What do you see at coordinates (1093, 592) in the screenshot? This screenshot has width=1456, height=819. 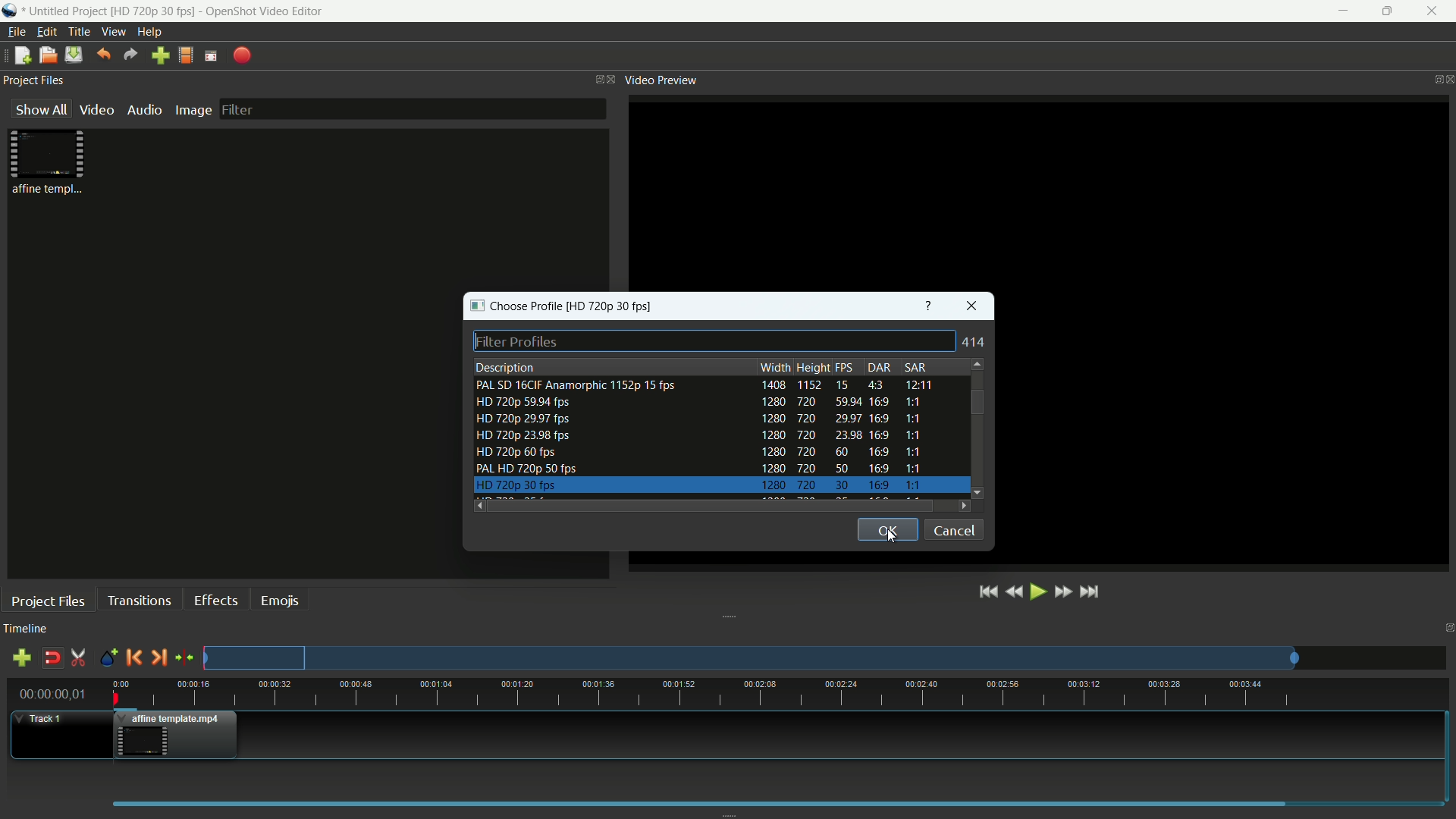 I see `jump to end` at bounding box center [1093, 592].